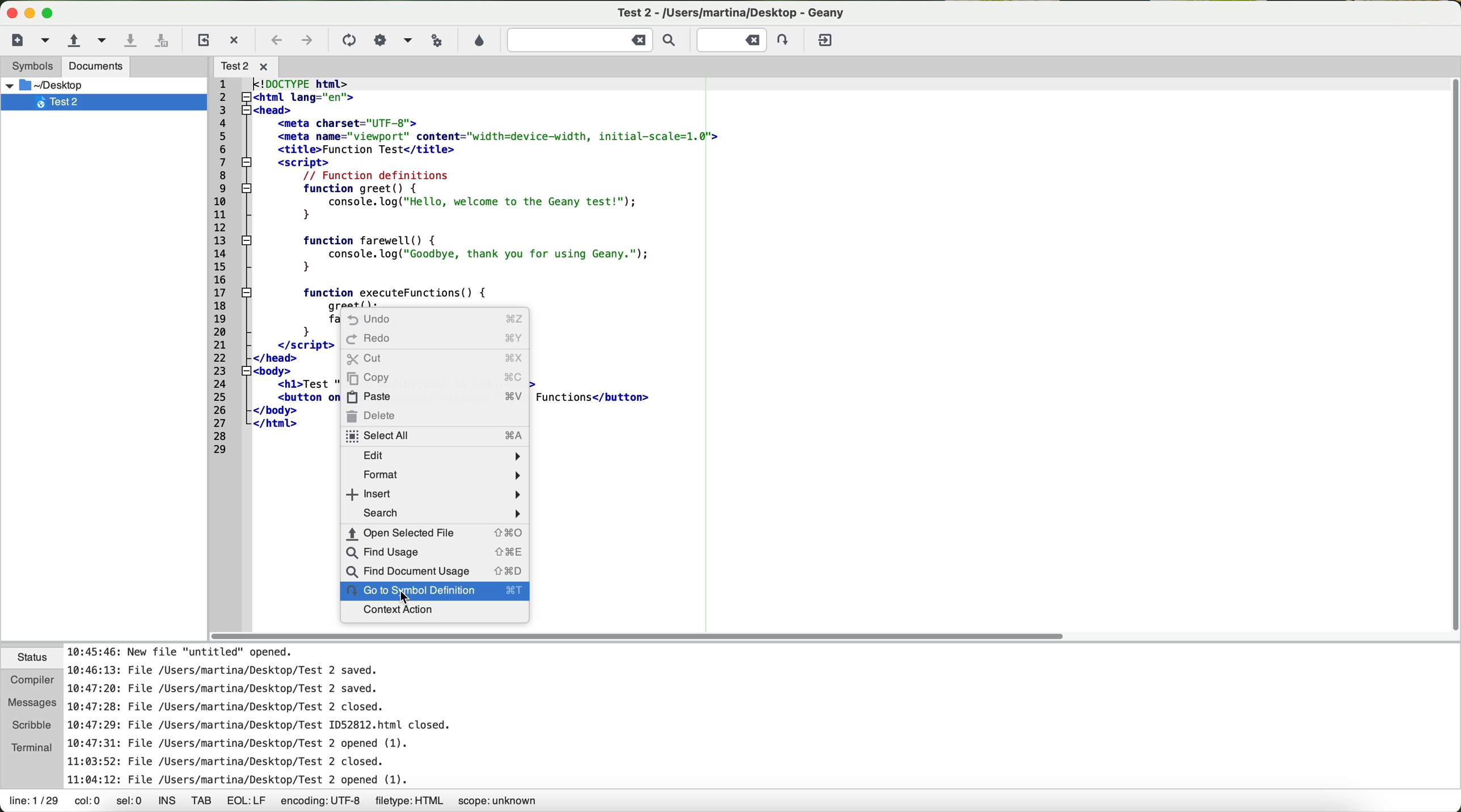 The height and width of the screenshot is (812, 1461). I want to click on icon, so click(347, 41).